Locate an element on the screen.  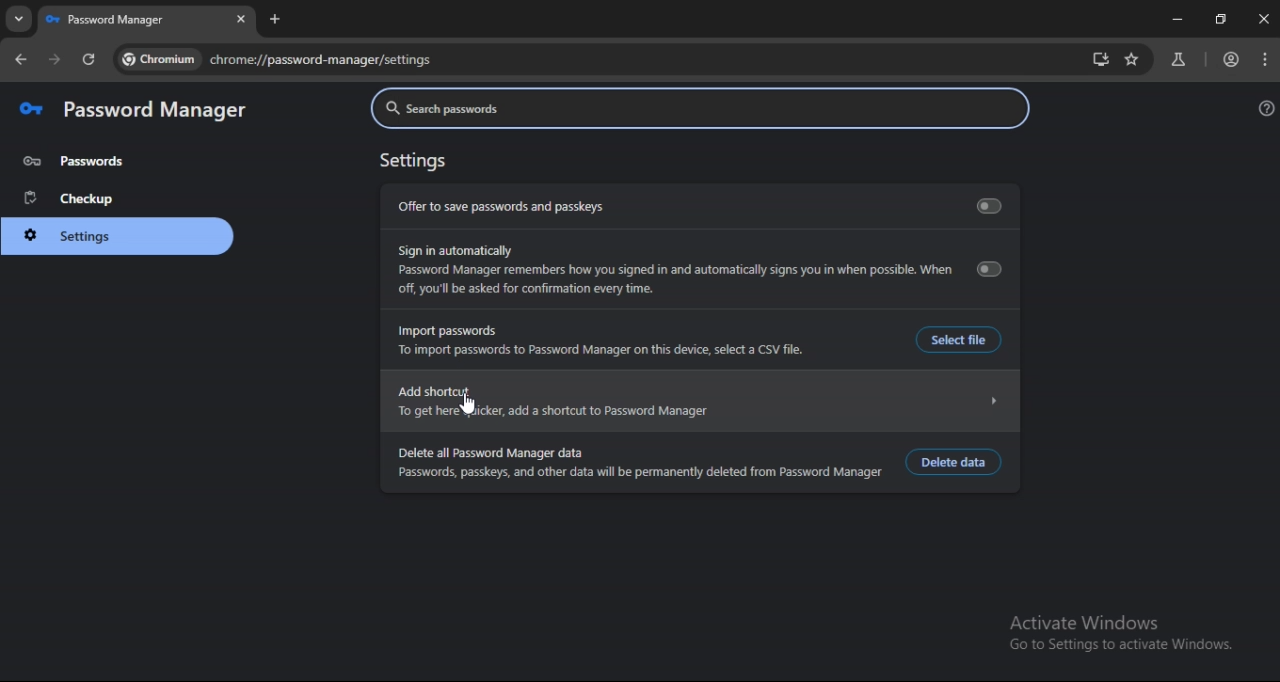
go forward one page is located at coordinates (58, 60).